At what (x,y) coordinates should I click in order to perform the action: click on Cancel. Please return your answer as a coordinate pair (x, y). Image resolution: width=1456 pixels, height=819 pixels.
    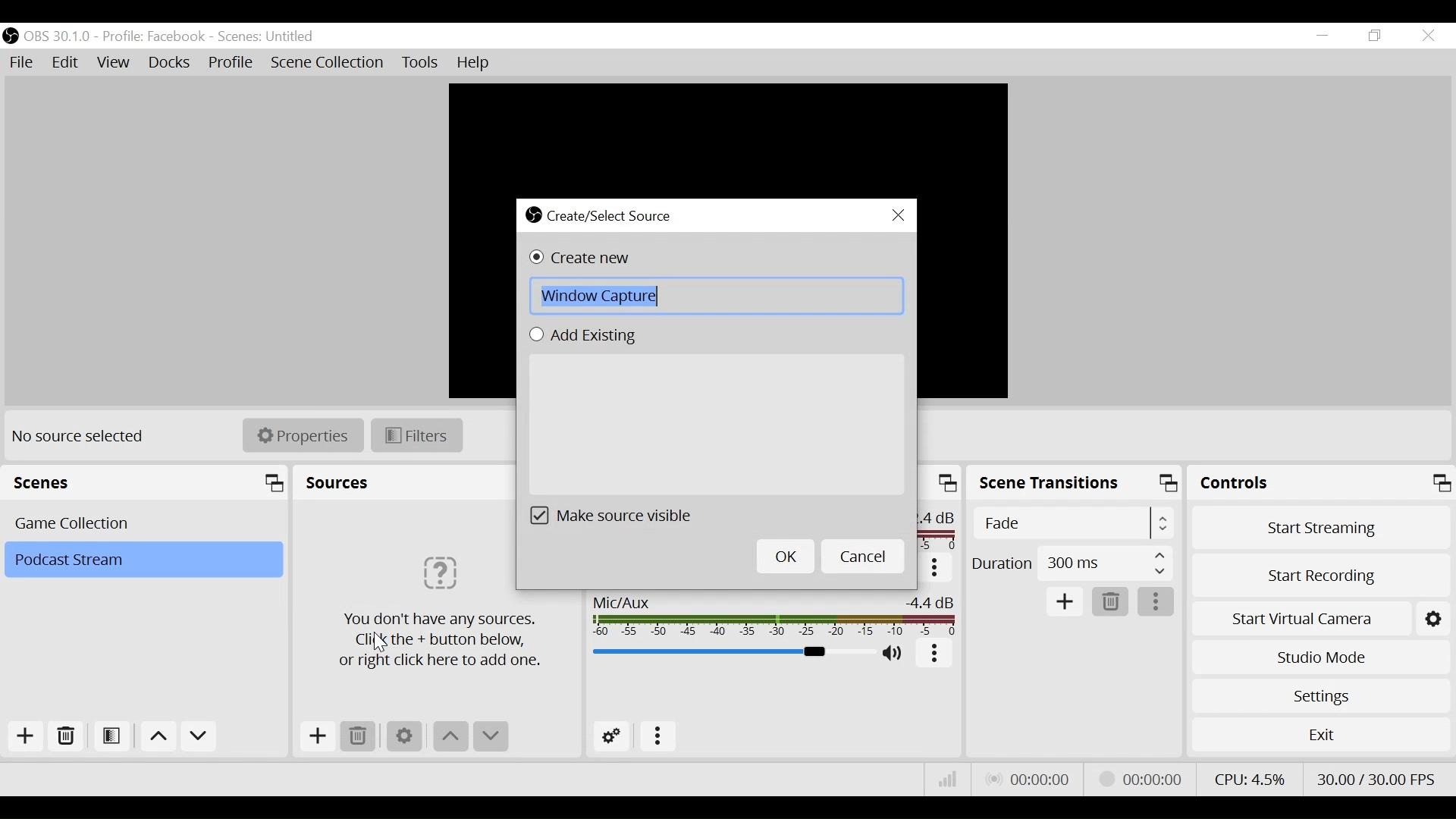
    Looking at the image, I should click on (866, 558).